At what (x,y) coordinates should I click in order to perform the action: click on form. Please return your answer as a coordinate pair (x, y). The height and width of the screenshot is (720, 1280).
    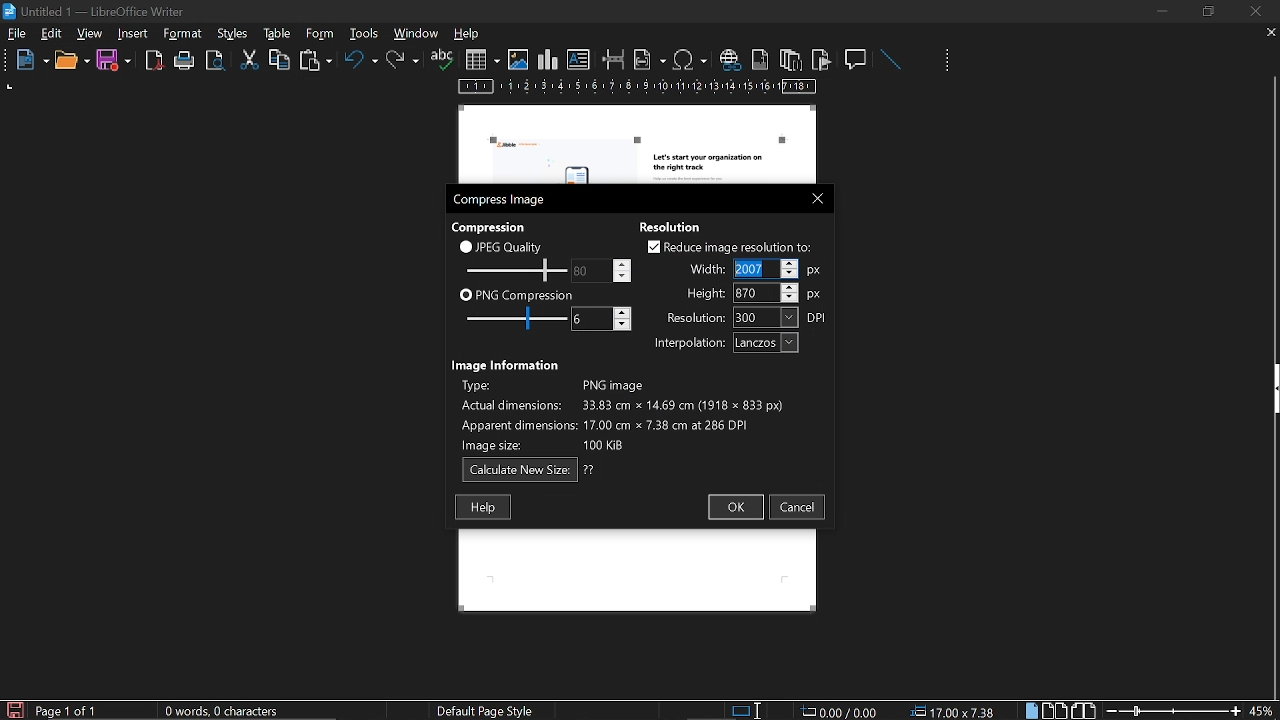
    Looking at the image, I should click on (366, 33).